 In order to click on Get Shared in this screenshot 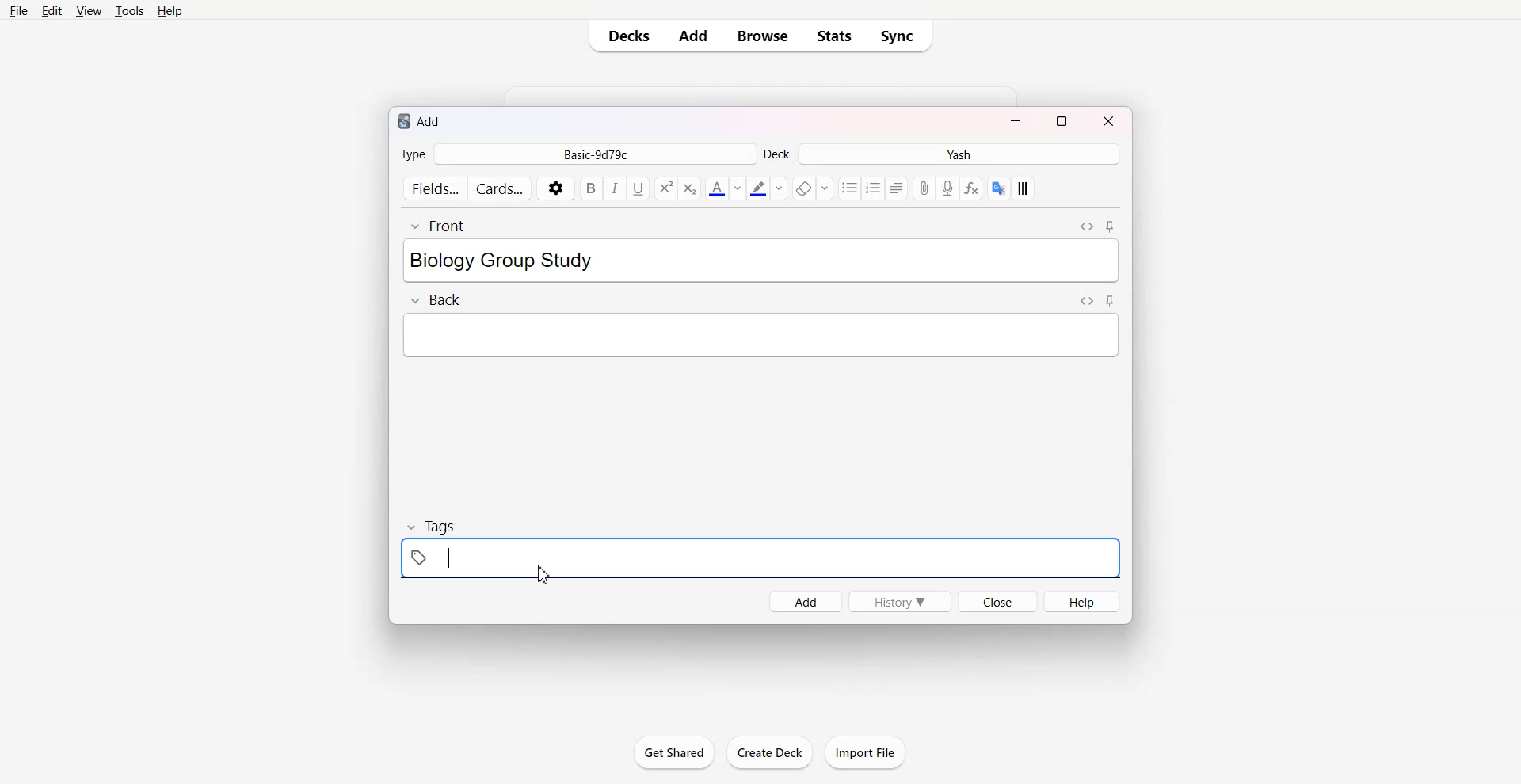, I will do `click(674, 752)`.